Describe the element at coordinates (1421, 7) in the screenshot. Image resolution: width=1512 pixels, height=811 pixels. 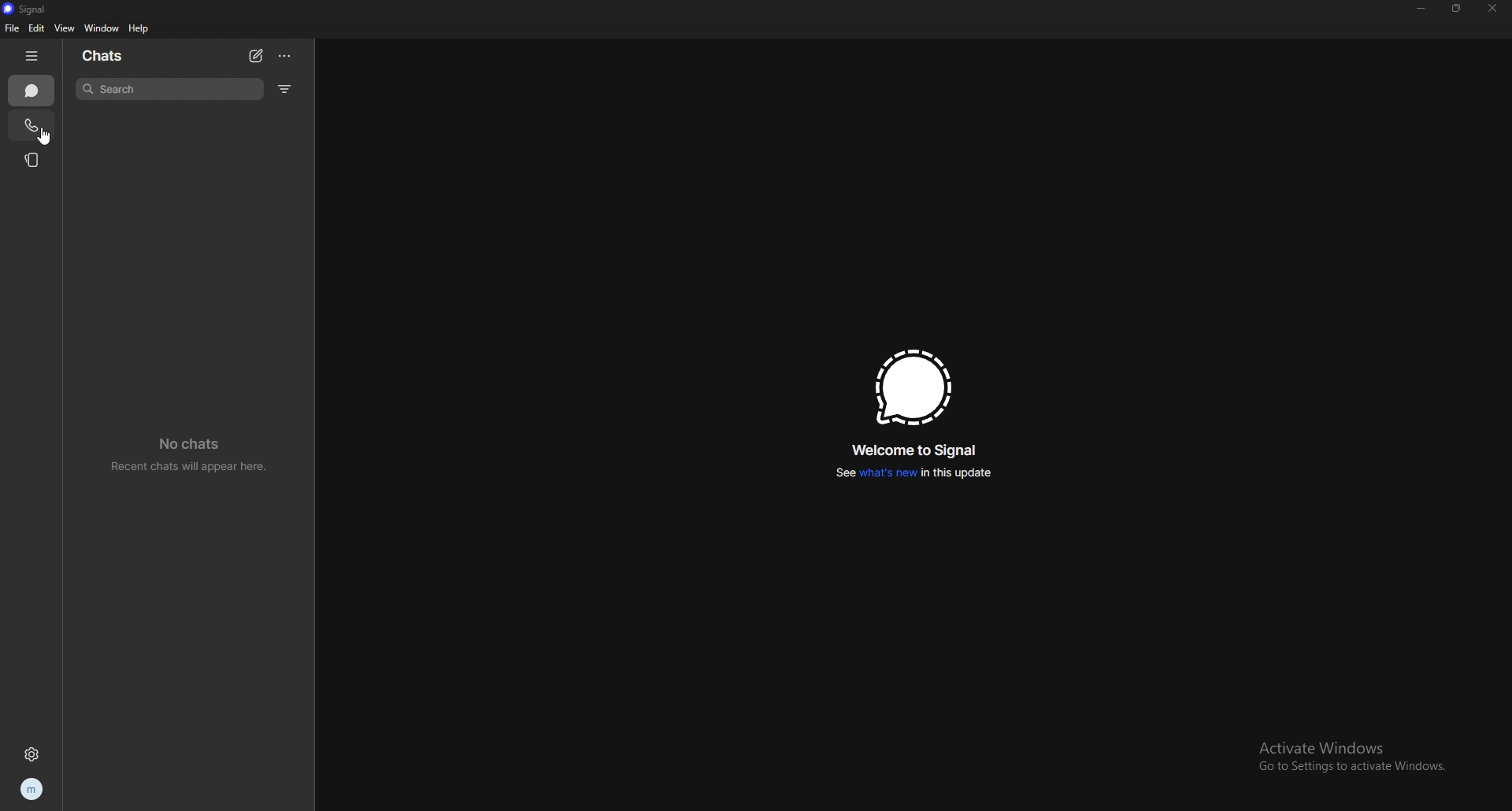
I see `minimize` at that location.